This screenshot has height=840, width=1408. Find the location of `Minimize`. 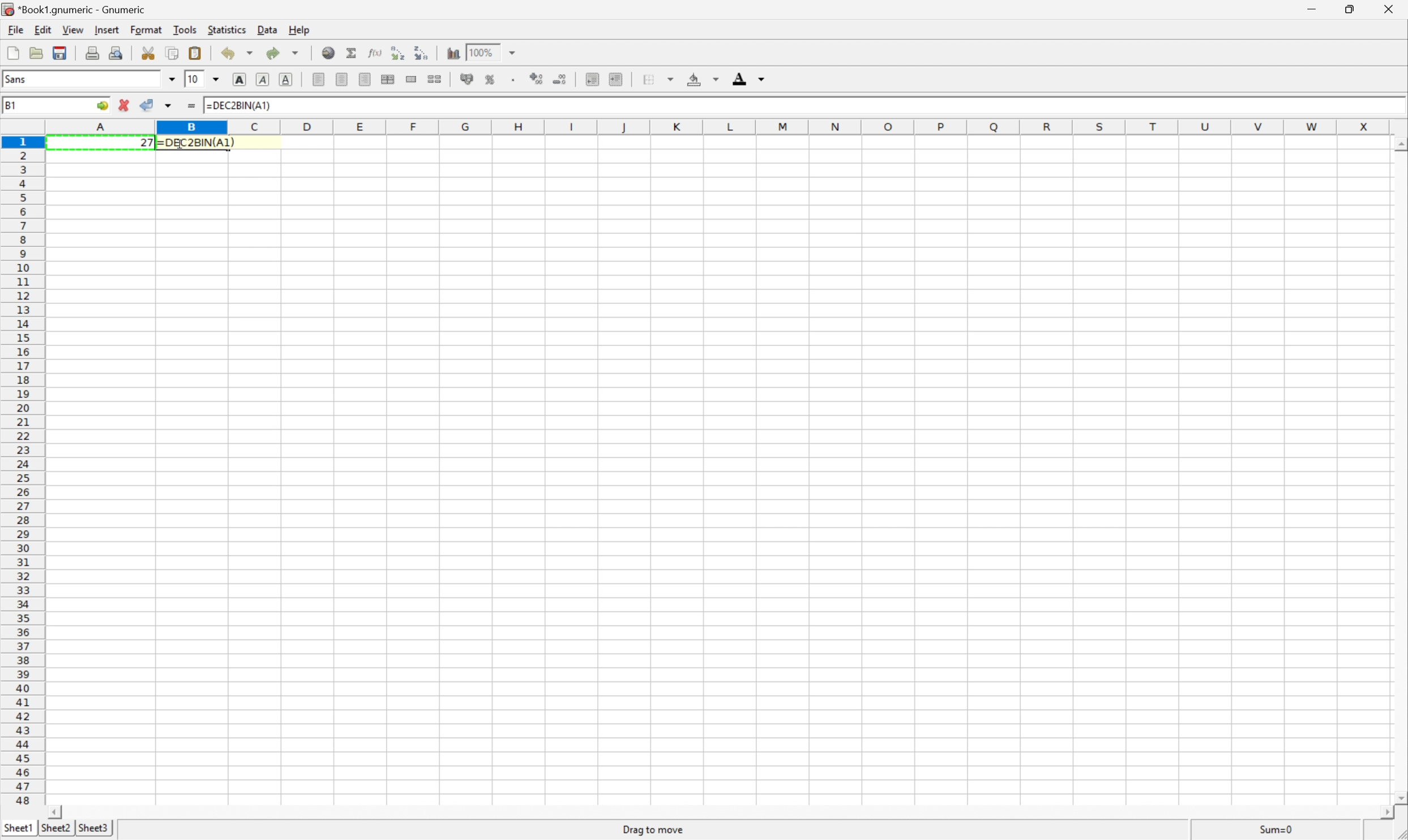

Minimize is located at coordinates (1312, 9).